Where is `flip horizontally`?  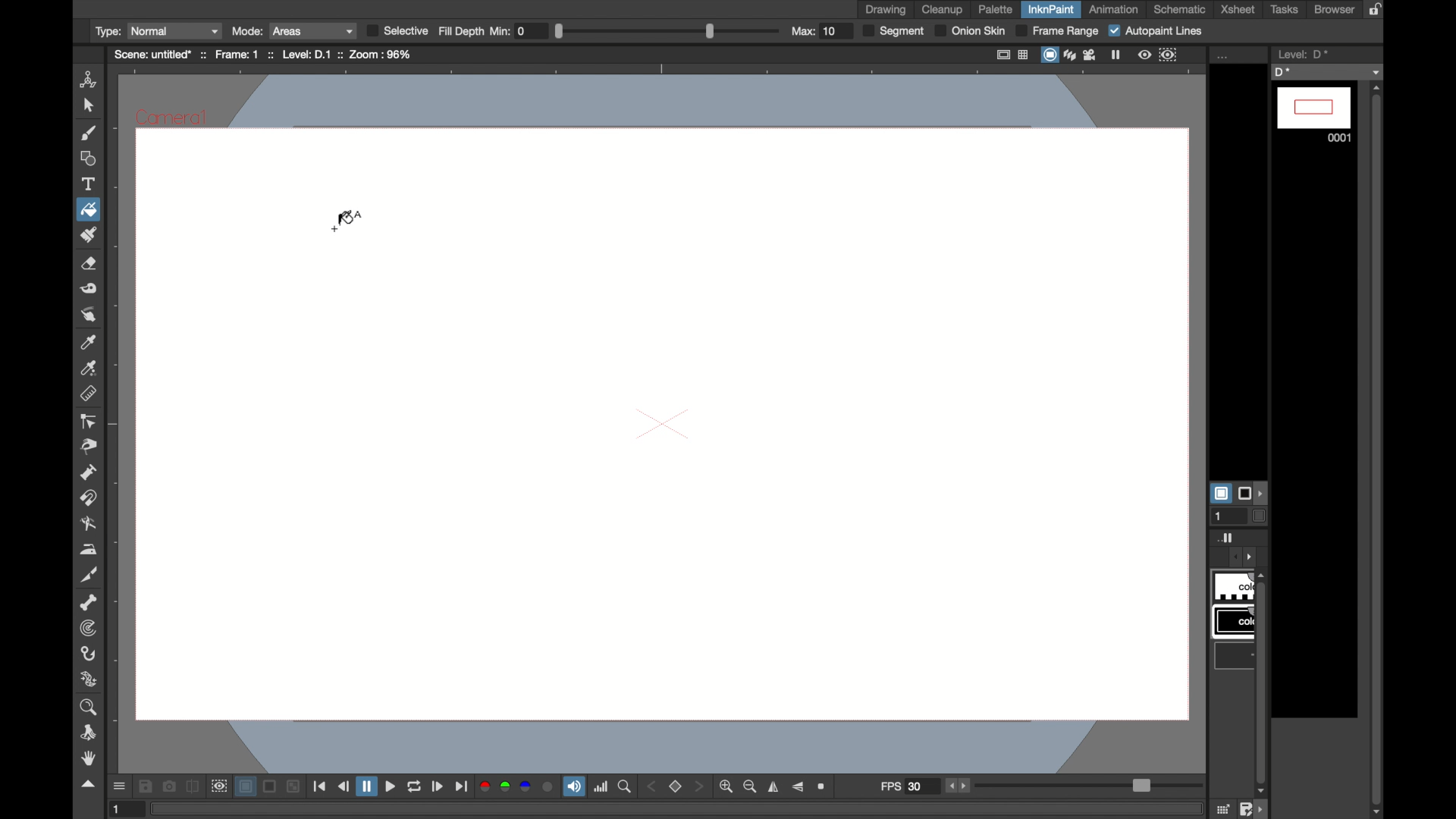 flip horizontally is located at coordinates (773, 787).